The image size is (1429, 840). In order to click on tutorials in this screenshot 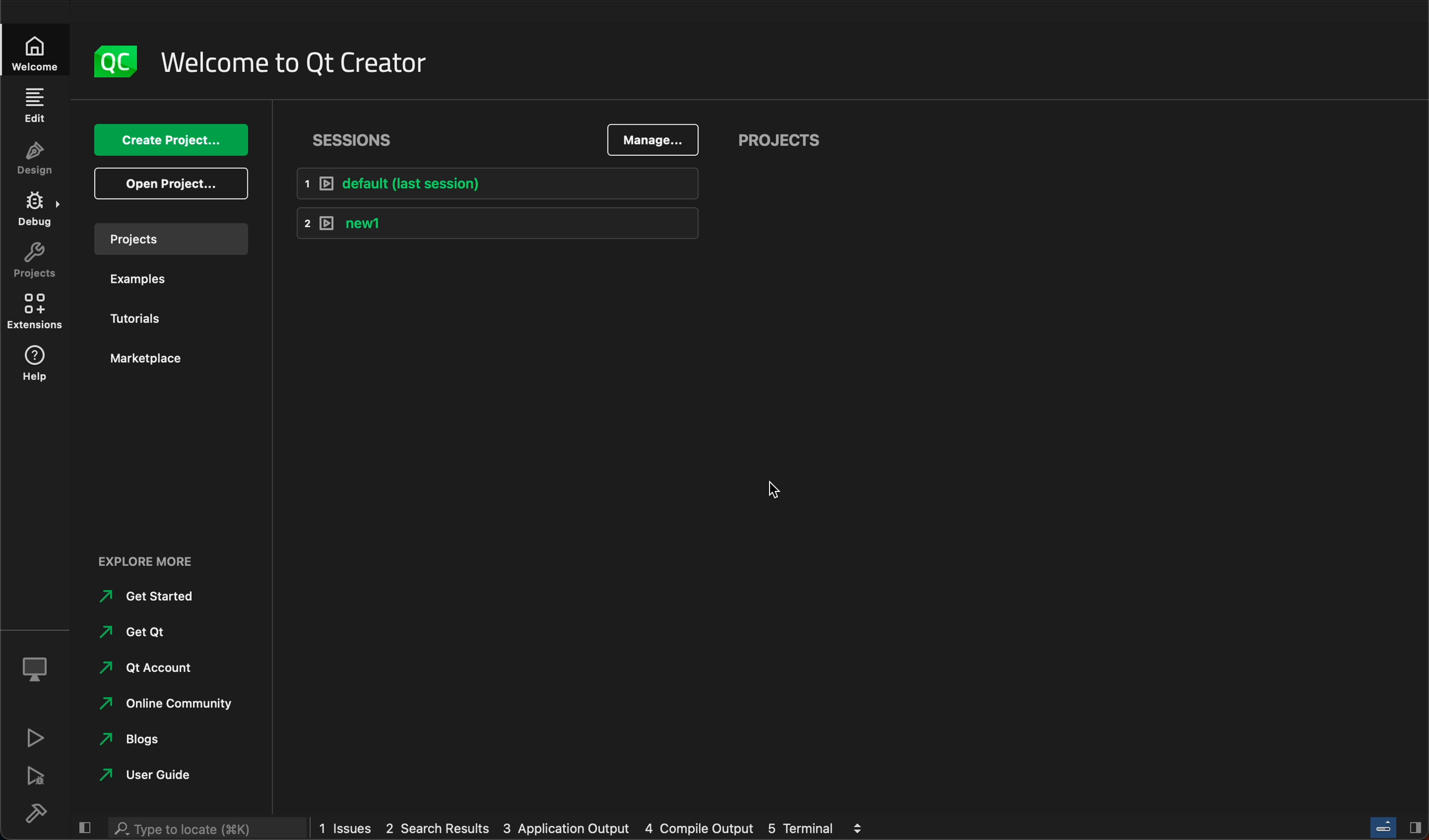, I will do `click(152, 317)`.